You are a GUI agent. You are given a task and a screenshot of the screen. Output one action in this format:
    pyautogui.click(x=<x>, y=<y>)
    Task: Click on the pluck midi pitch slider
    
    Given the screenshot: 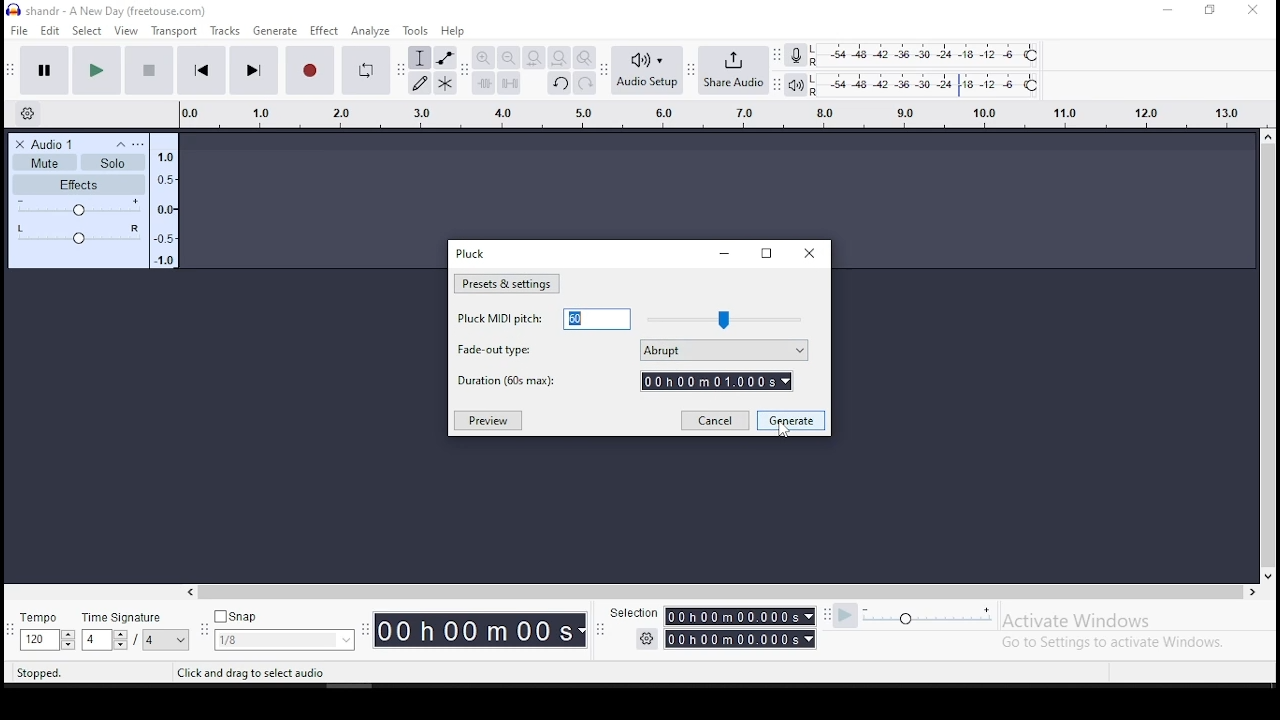 What is the action you would take?
    pyautogui.click(x=724, y=319)
    